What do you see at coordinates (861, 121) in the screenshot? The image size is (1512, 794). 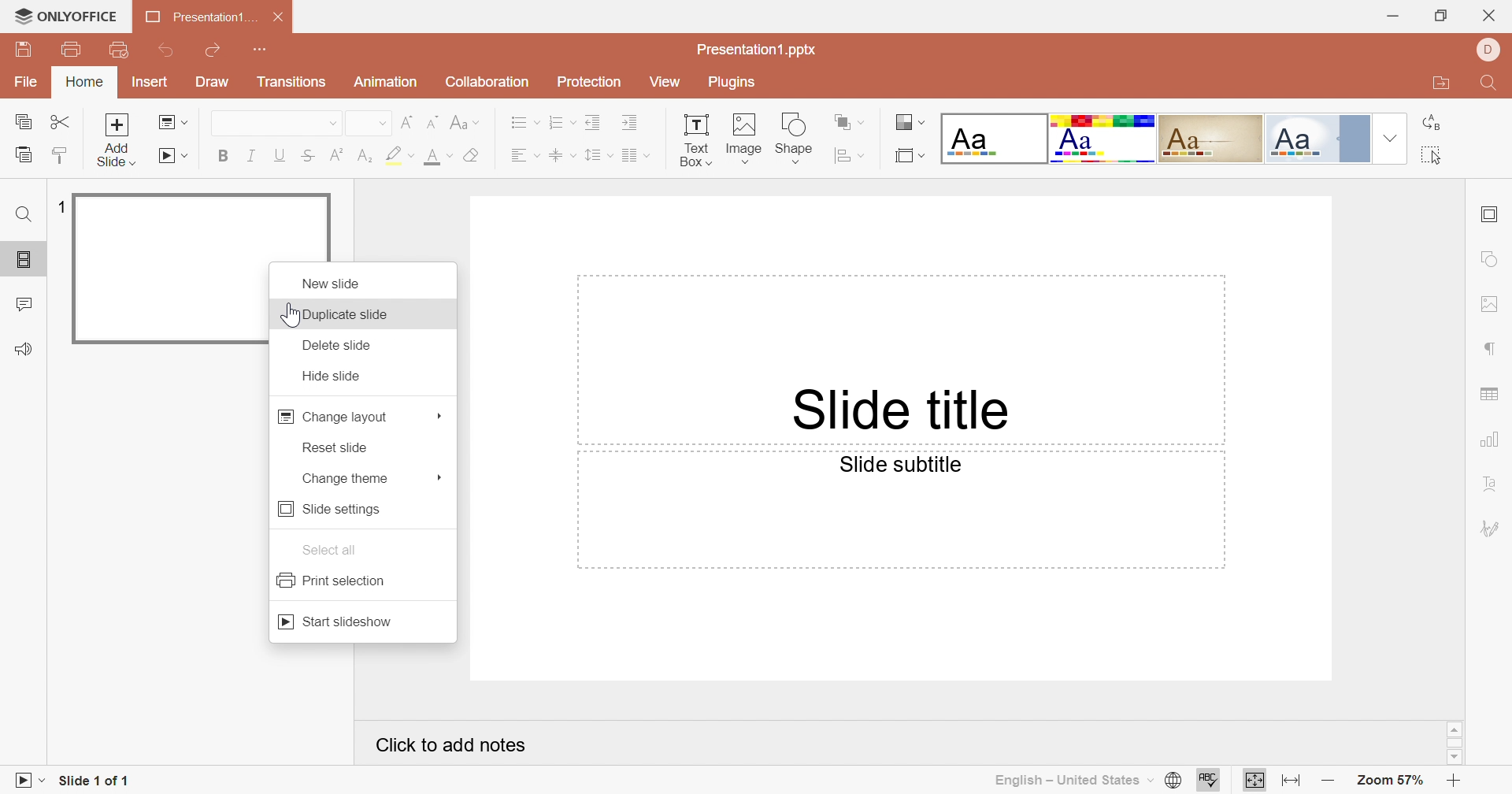 I see `Drop Down` at bounding box center [861, 121].